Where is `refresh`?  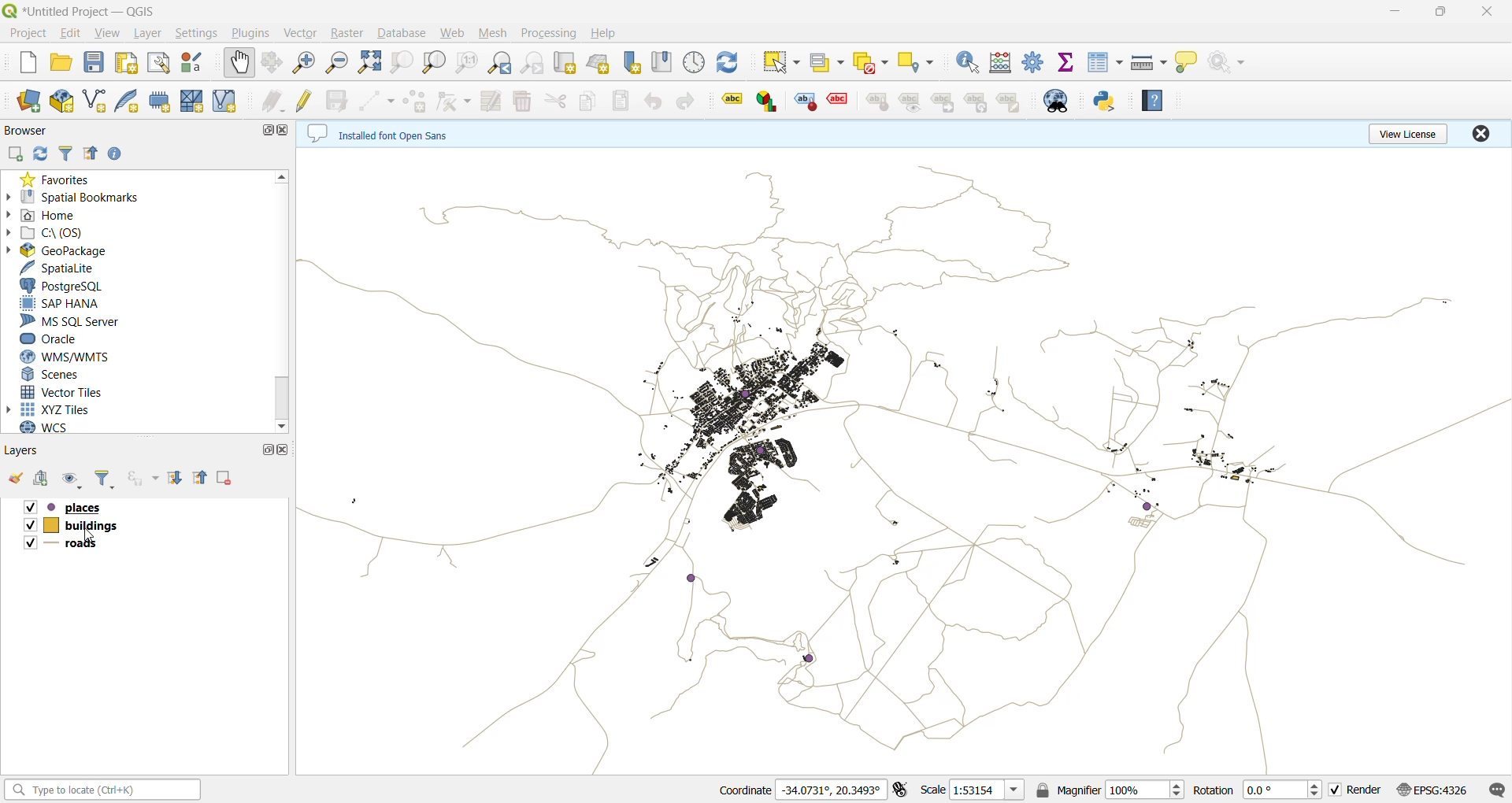
refresh is located at coordinates (43, 154).